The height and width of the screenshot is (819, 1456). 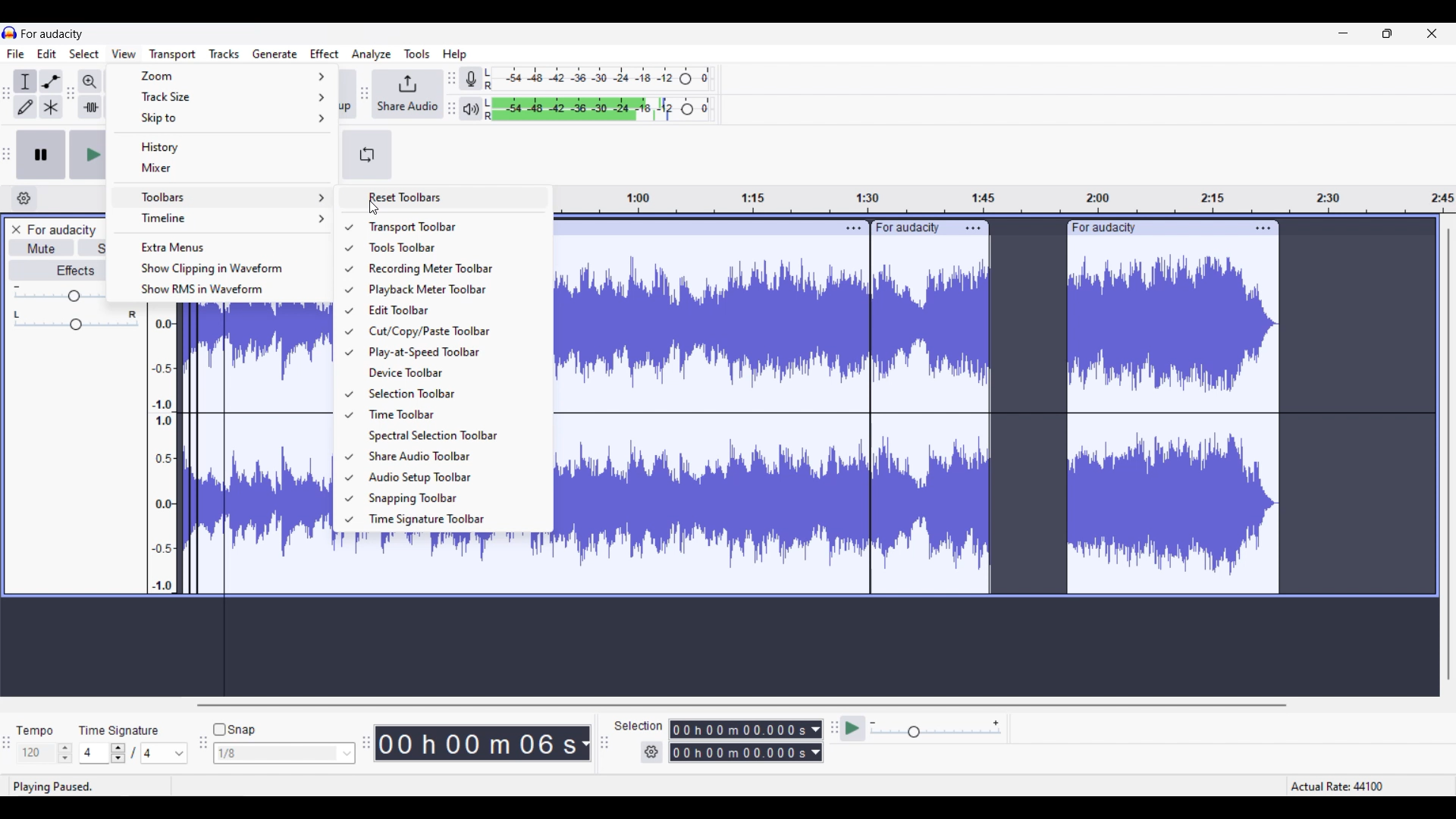 I want to click on Duration measurement, so click(x=585, y=743).